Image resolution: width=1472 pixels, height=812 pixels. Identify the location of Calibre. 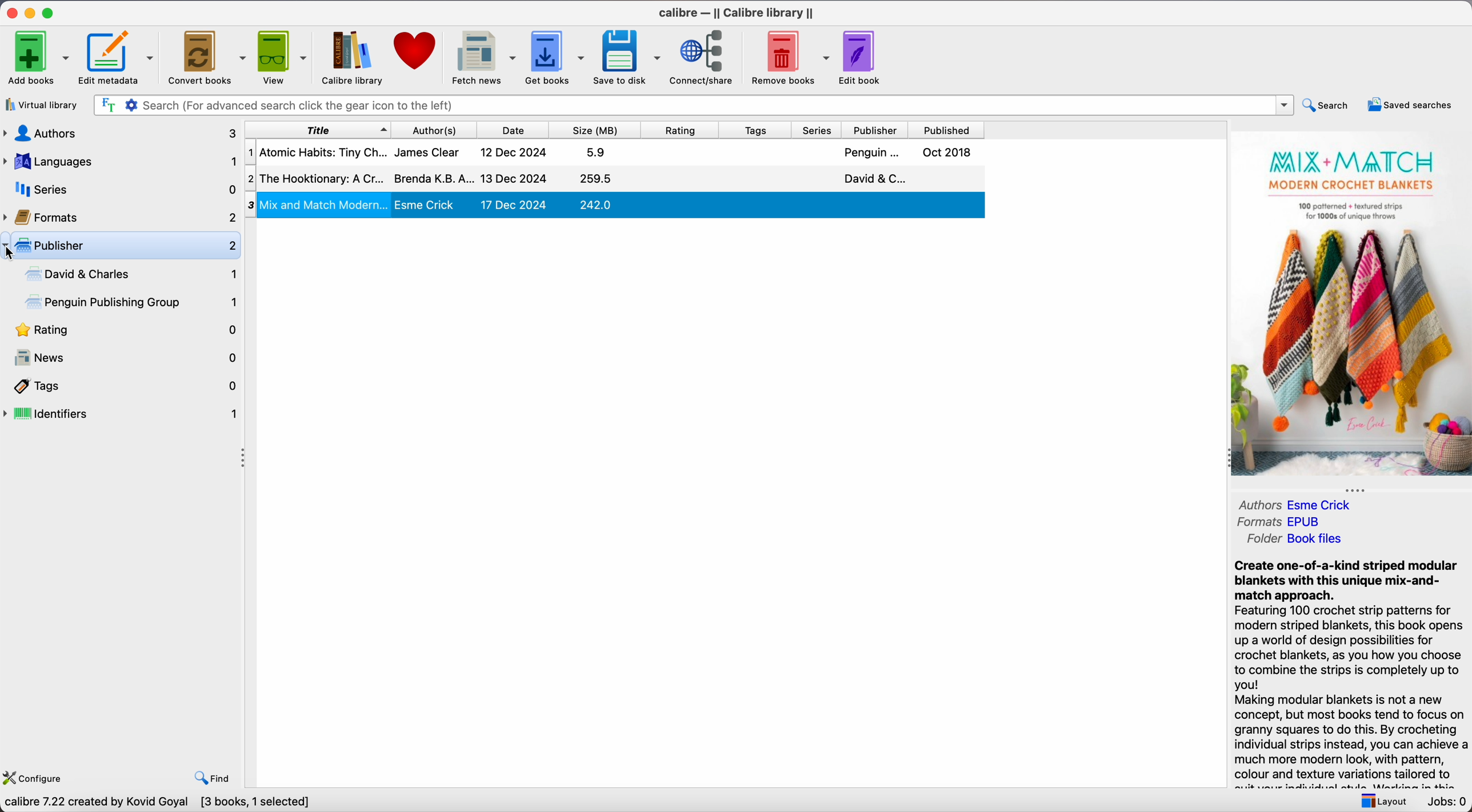
(738, 13).